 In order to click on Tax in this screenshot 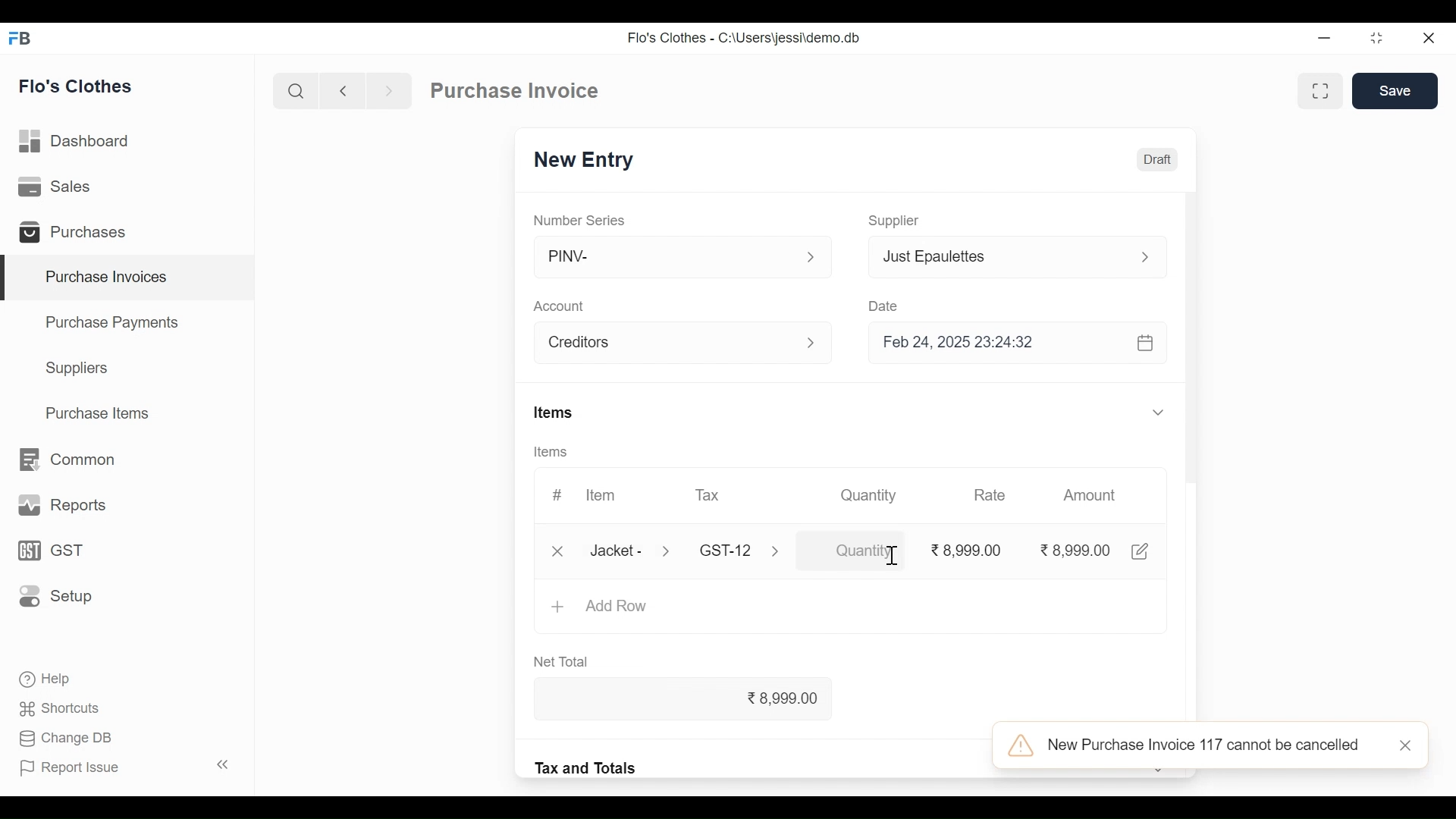, I will do `click(712, 496)`.